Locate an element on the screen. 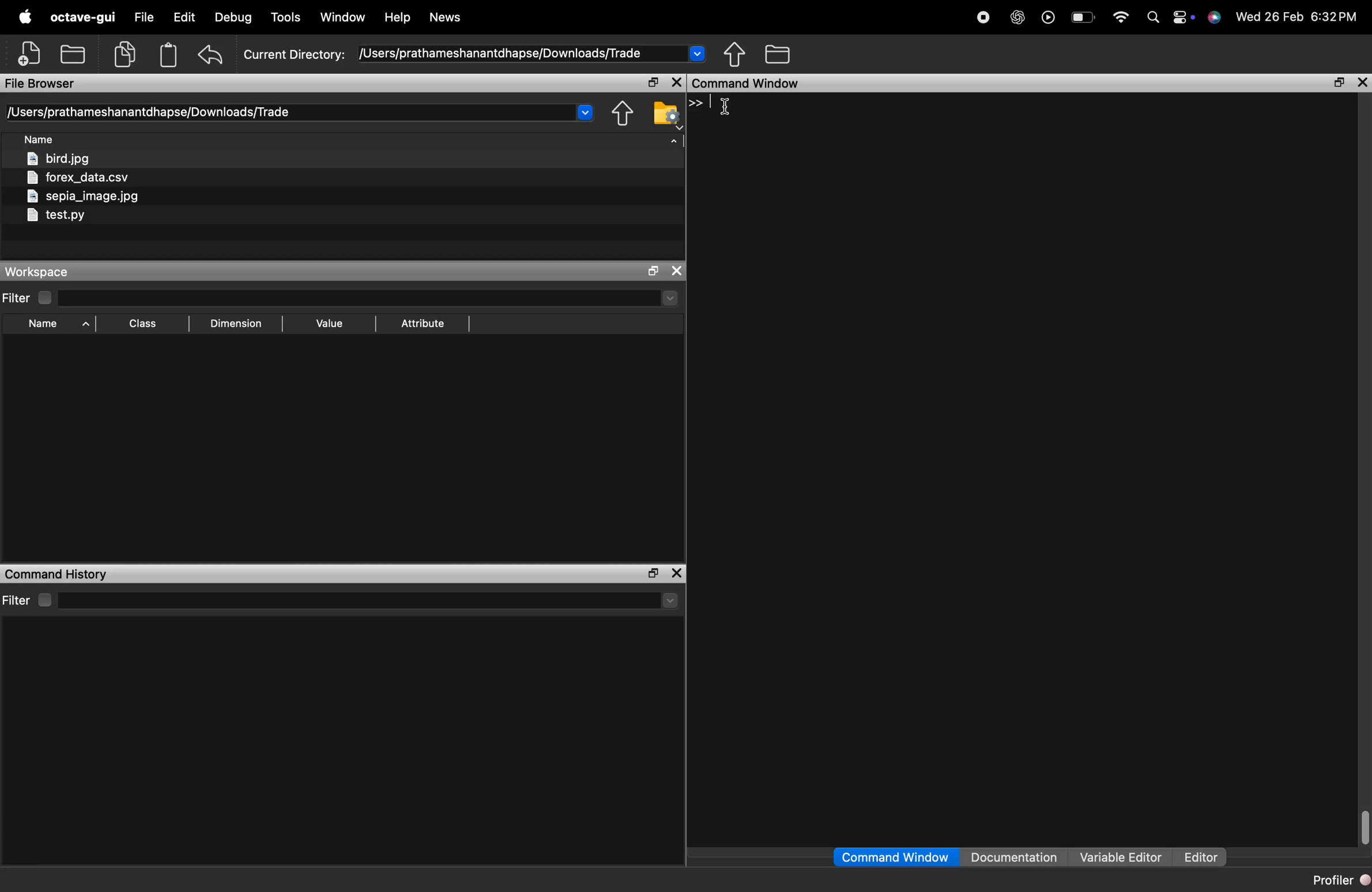  select directory is located at coordinates (373, 600).